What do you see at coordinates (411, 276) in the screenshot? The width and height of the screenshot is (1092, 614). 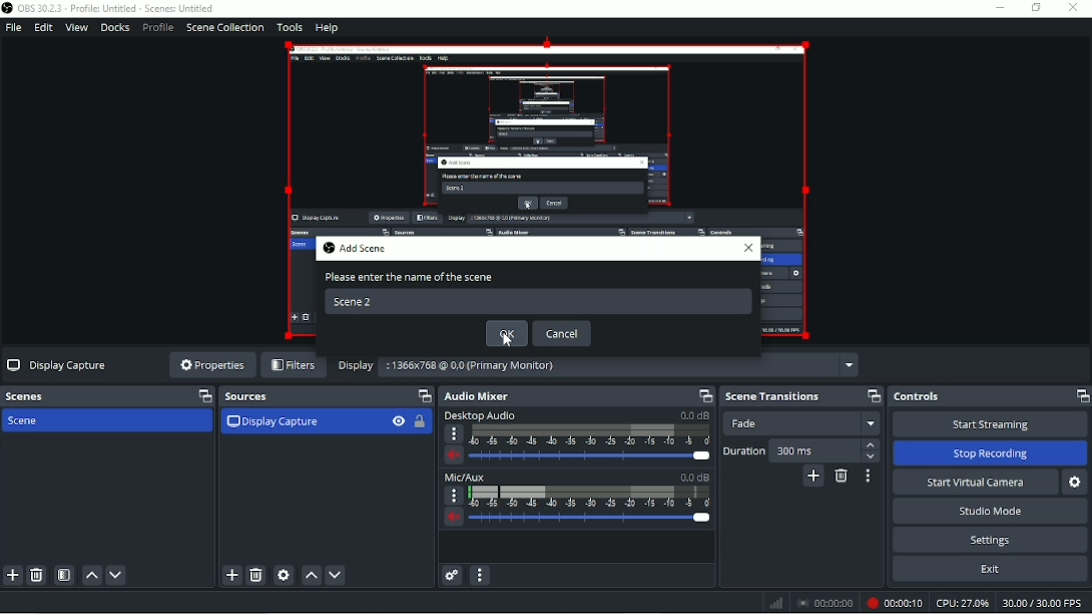 I see `Please enter the name of the scene` at bounding box center [411, 276].